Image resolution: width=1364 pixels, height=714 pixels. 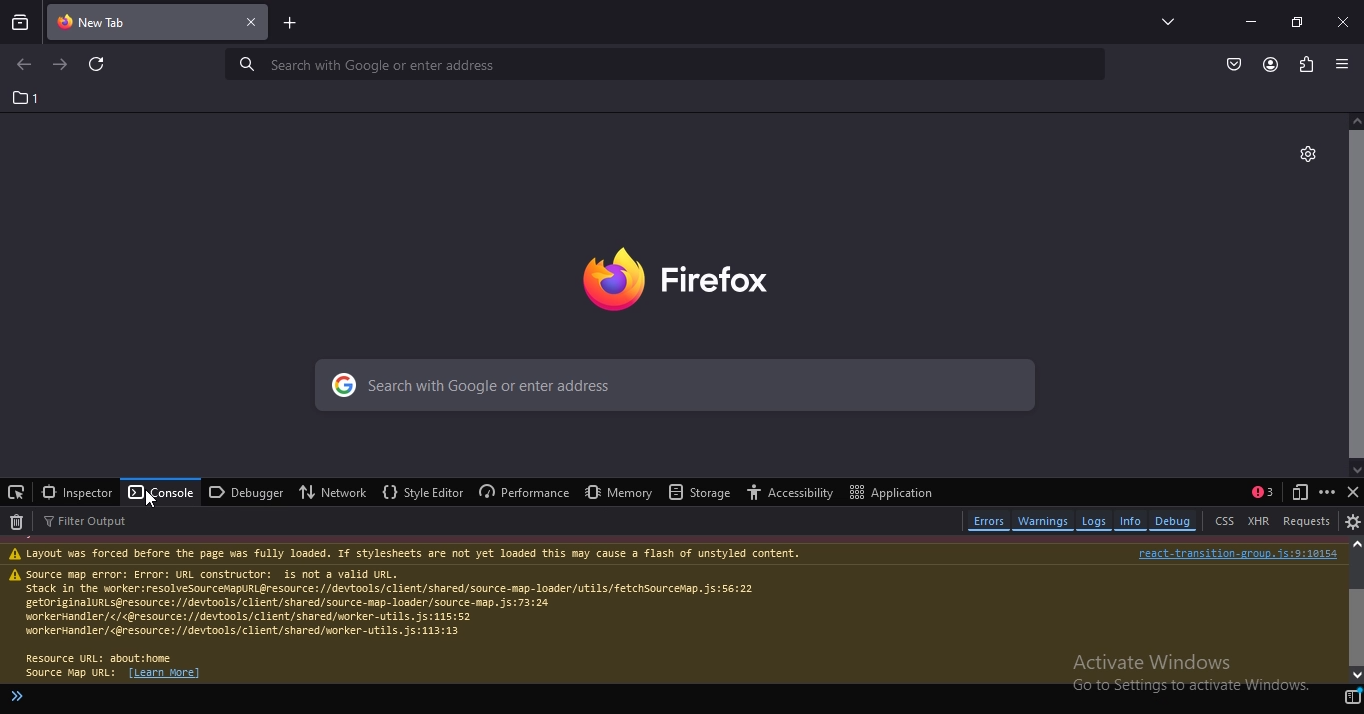 I want to click on scroll bar, so click(x=1355, y=611).